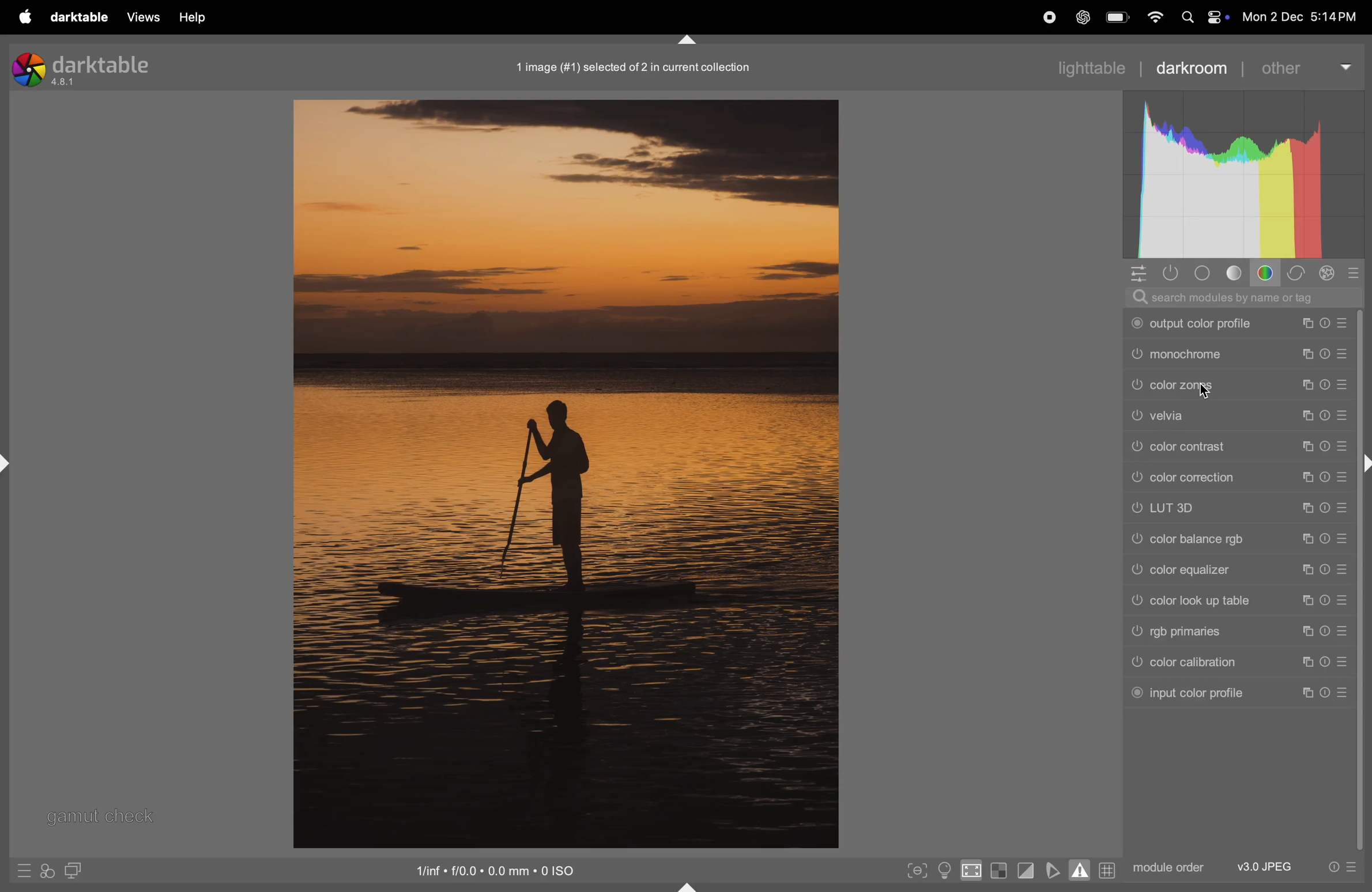  What do you see at coordinates (145, 18) in the screenshot?
I see `views` at bounding box center [145, 18].